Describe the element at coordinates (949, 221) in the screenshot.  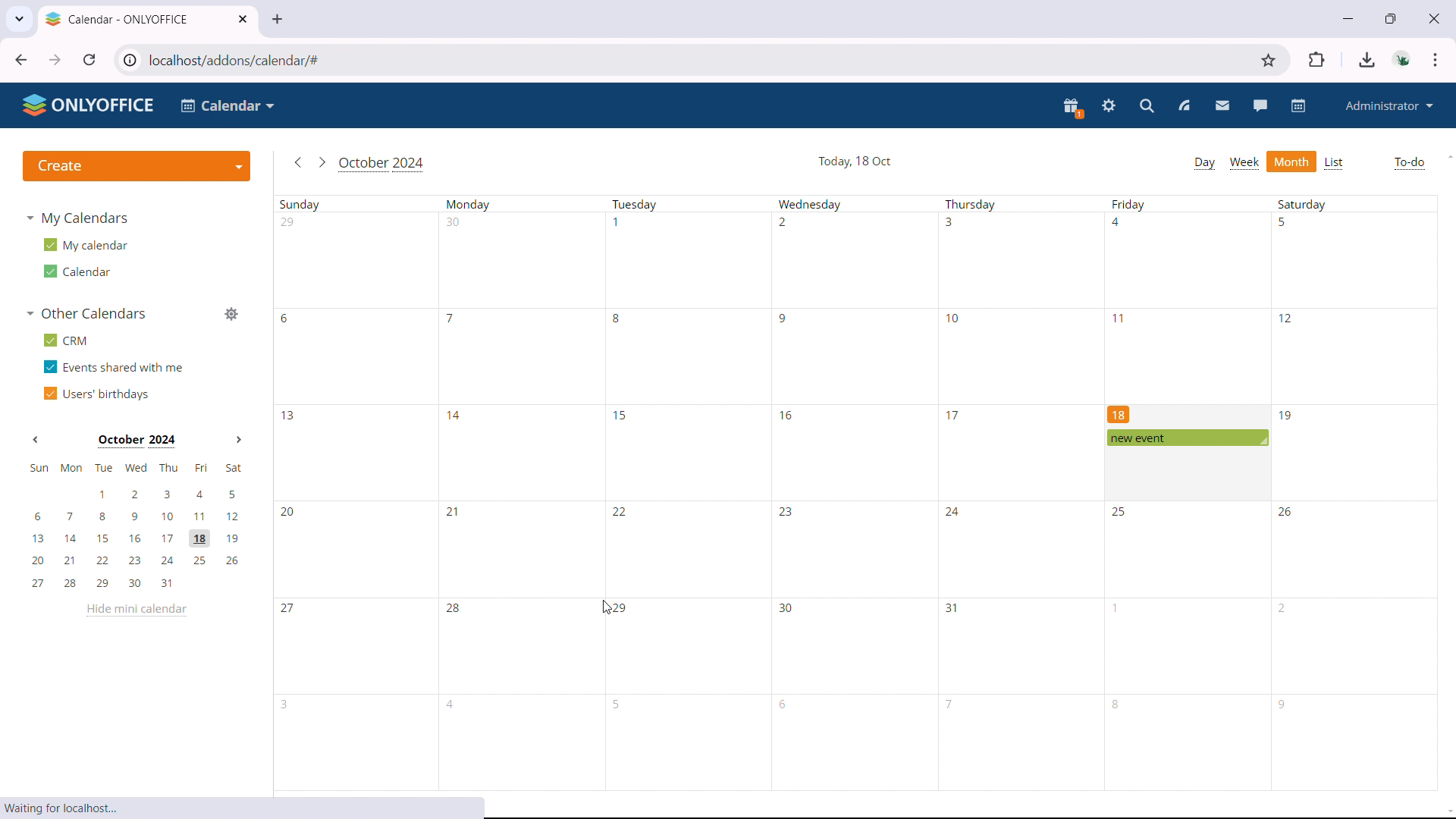
I see `3` at that location.